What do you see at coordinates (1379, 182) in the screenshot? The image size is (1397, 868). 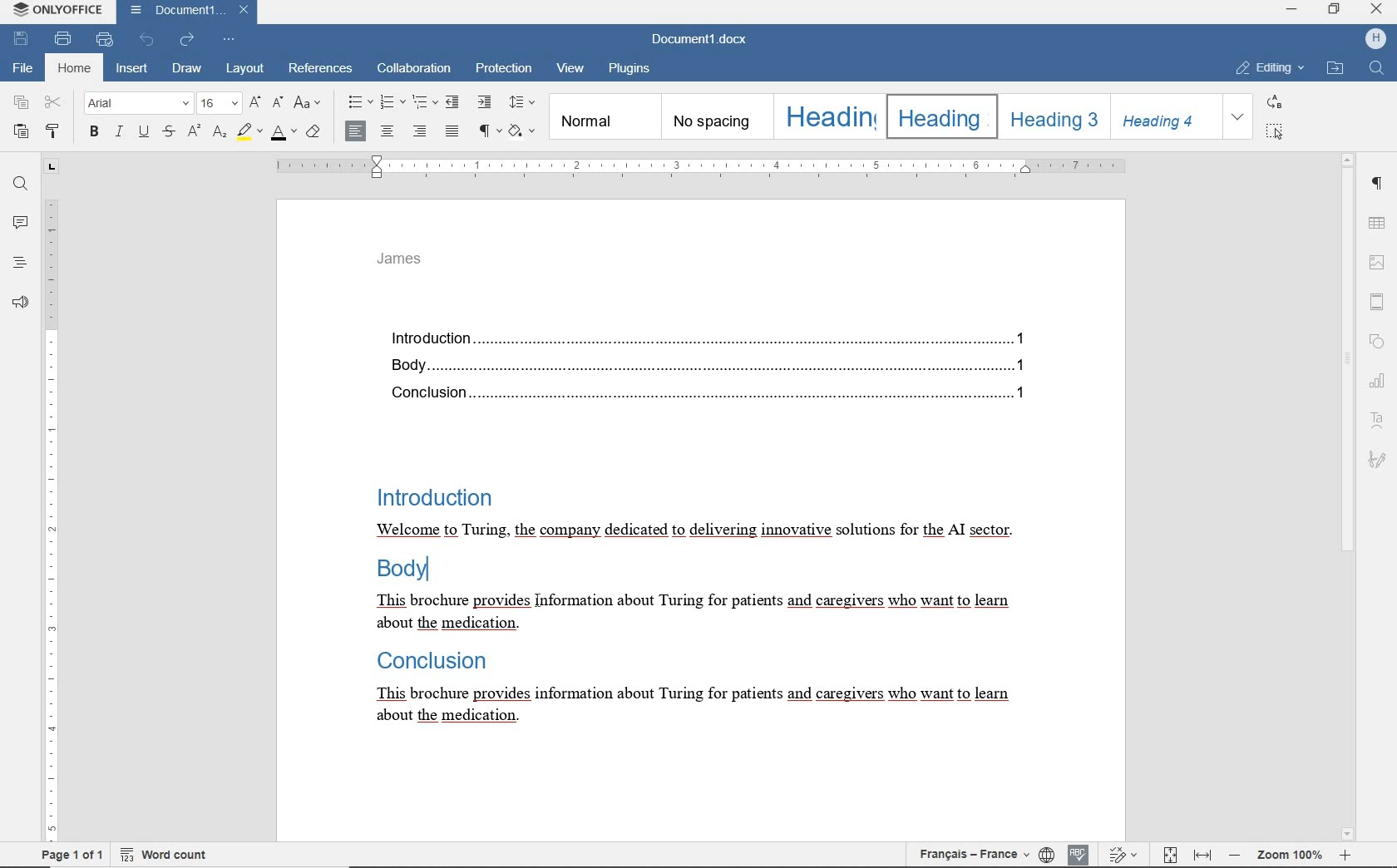 I see `PARAGRAPH SETTINGS` at bounding box center [1379, 182].